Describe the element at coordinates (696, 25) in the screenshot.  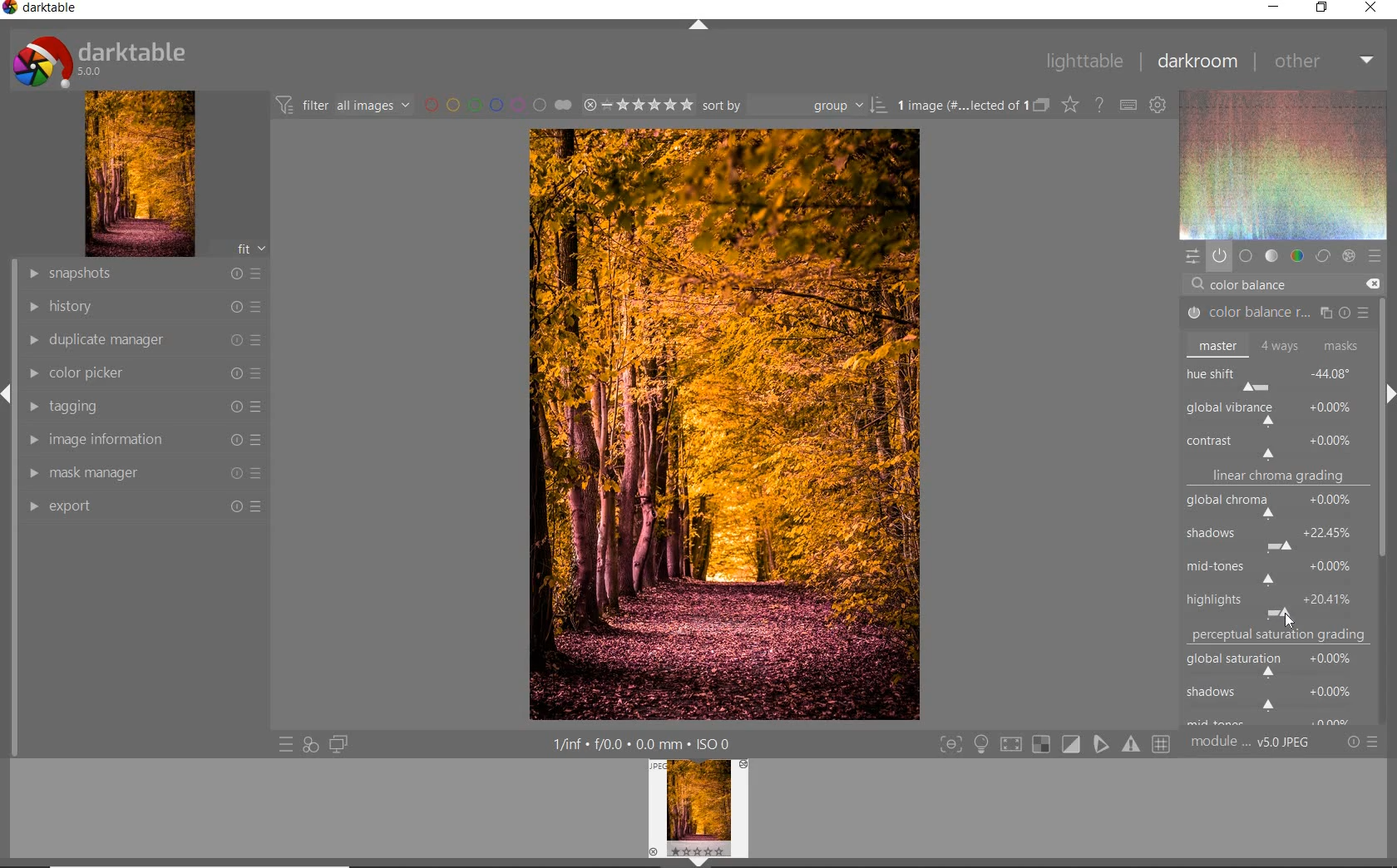
I see `expand/collapse` at that location.